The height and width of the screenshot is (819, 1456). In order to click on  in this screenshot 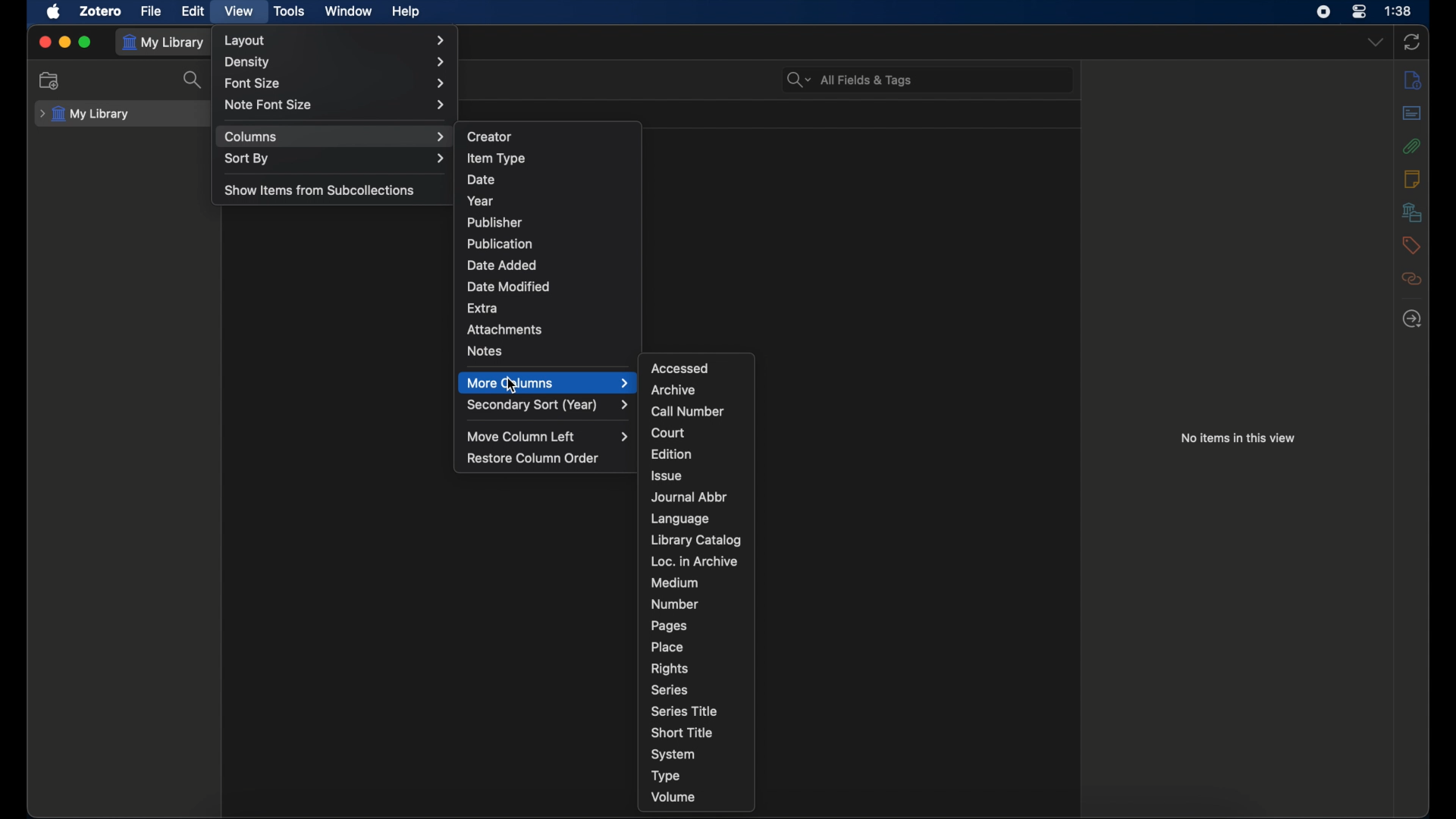, I will do `click(546, 382)`.